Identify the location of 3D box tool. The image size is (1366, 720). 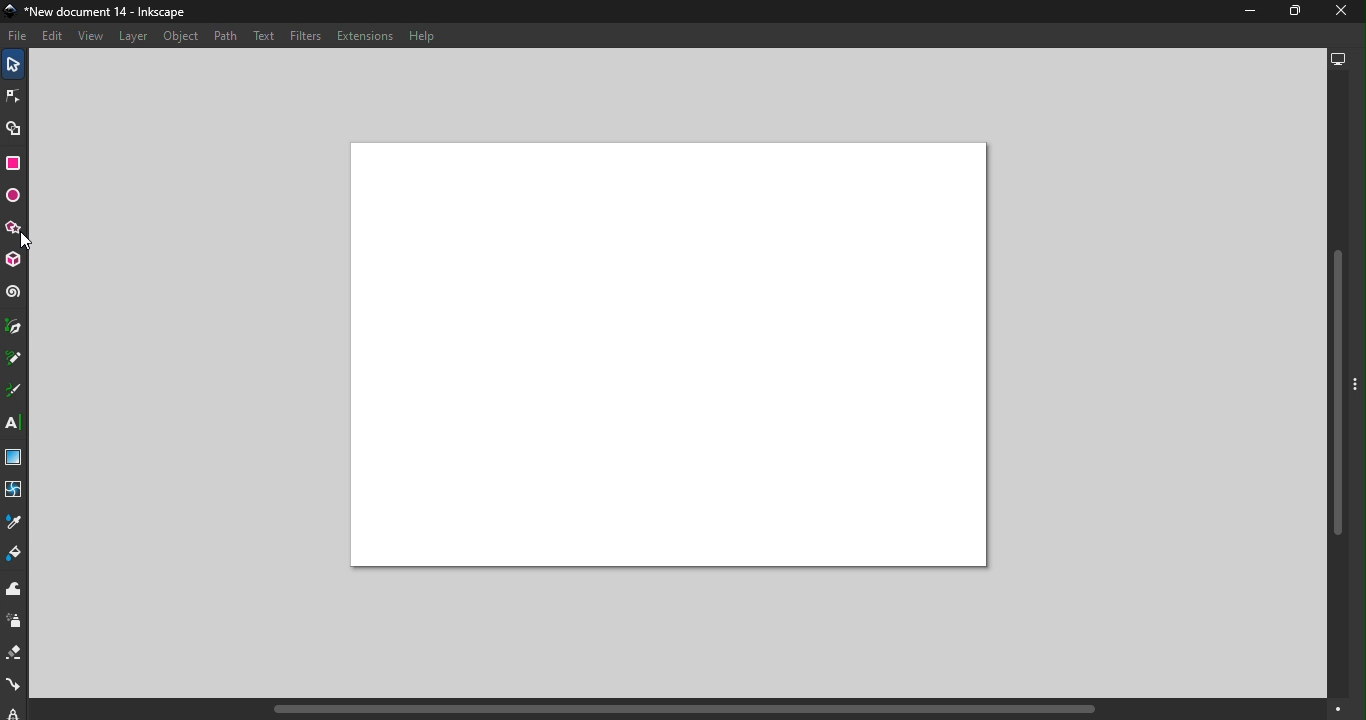
(15, 262).